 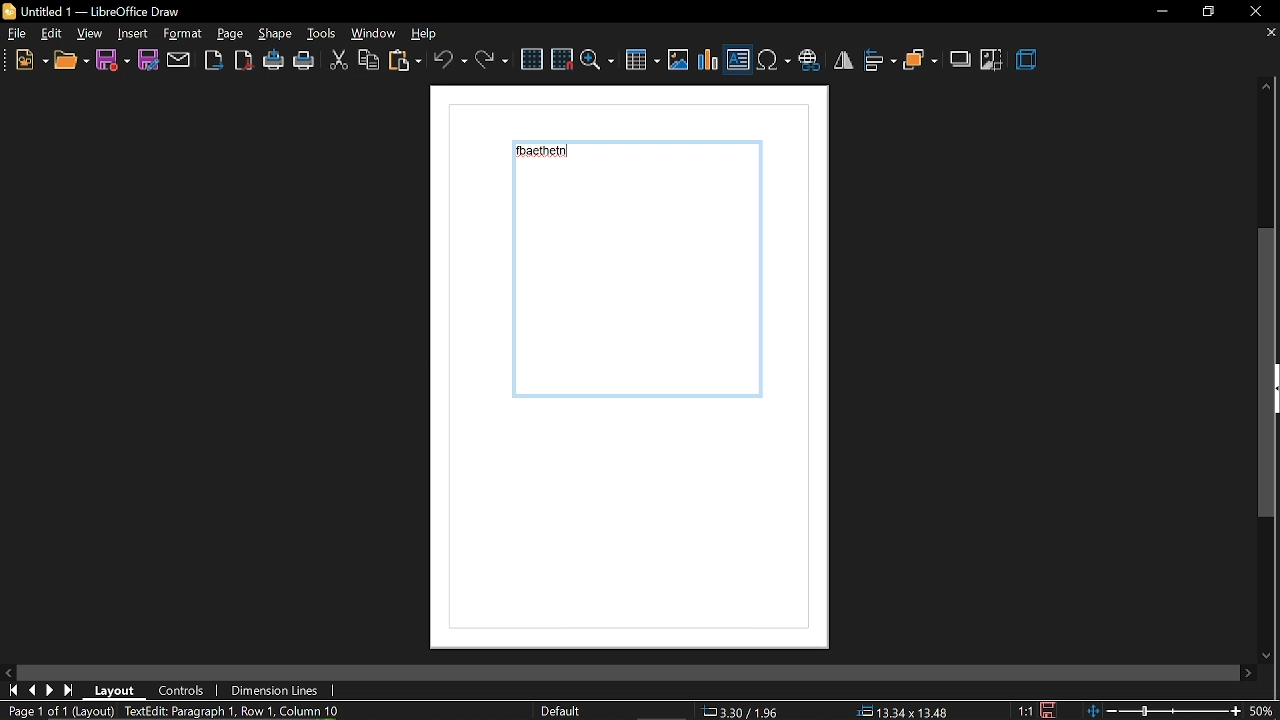 I want to click on print directly, so click(x=274, y=59).